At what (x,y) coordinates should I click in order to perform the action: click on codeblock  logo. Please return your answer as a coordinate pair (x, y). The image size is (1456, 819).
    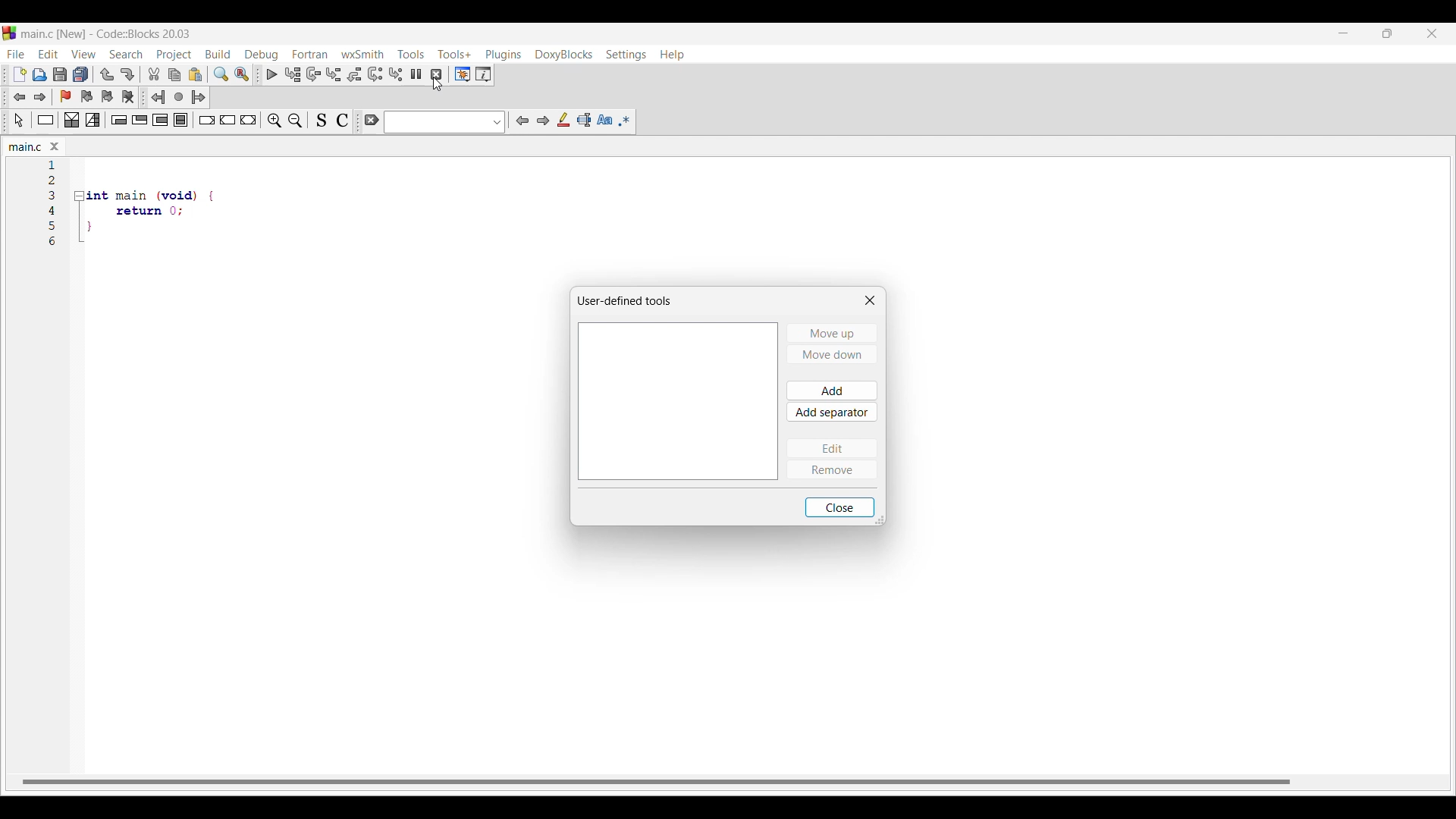
    Looking at the image, I should click on (9, 33).